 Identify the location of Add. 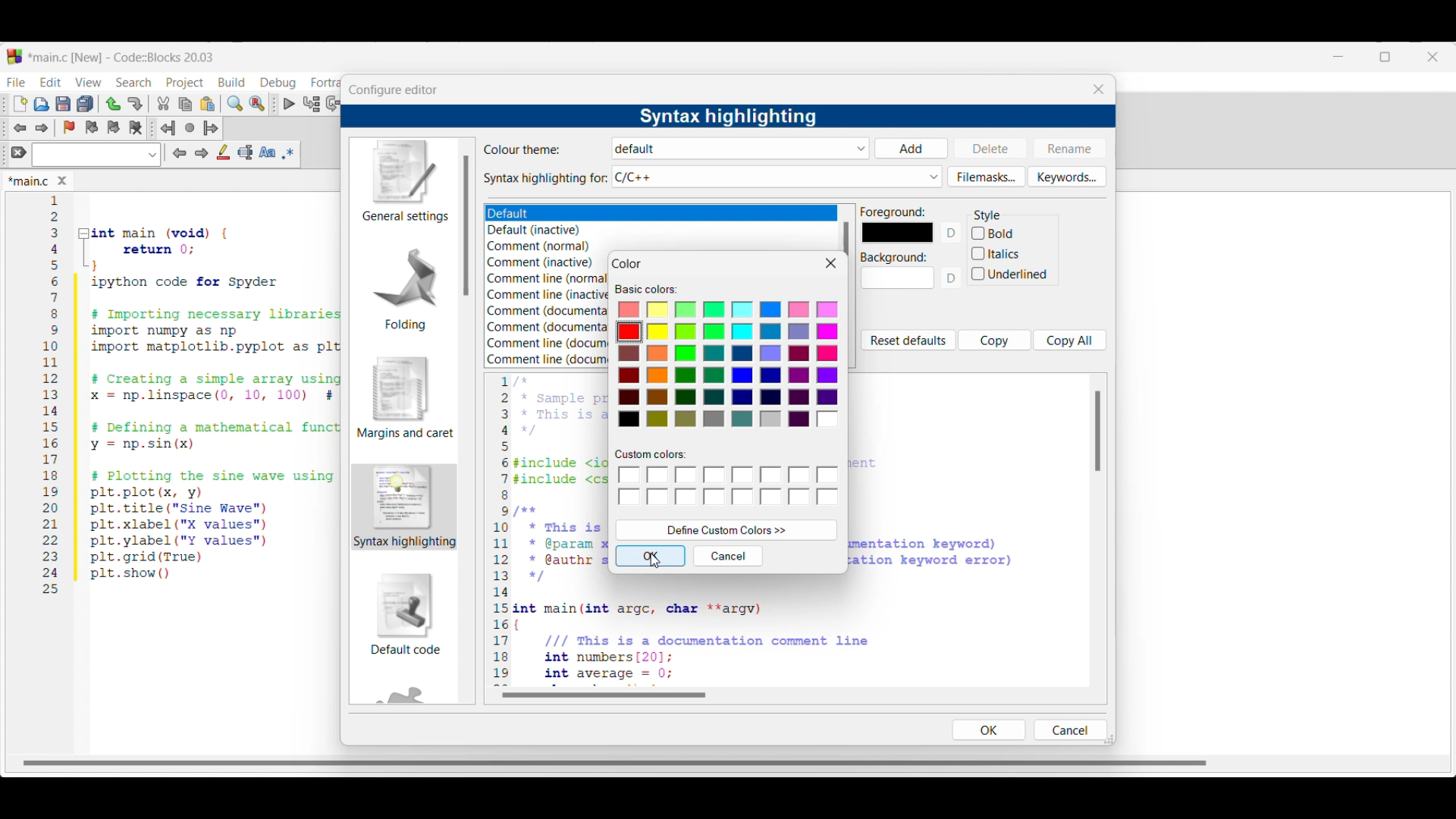
(911, 149).